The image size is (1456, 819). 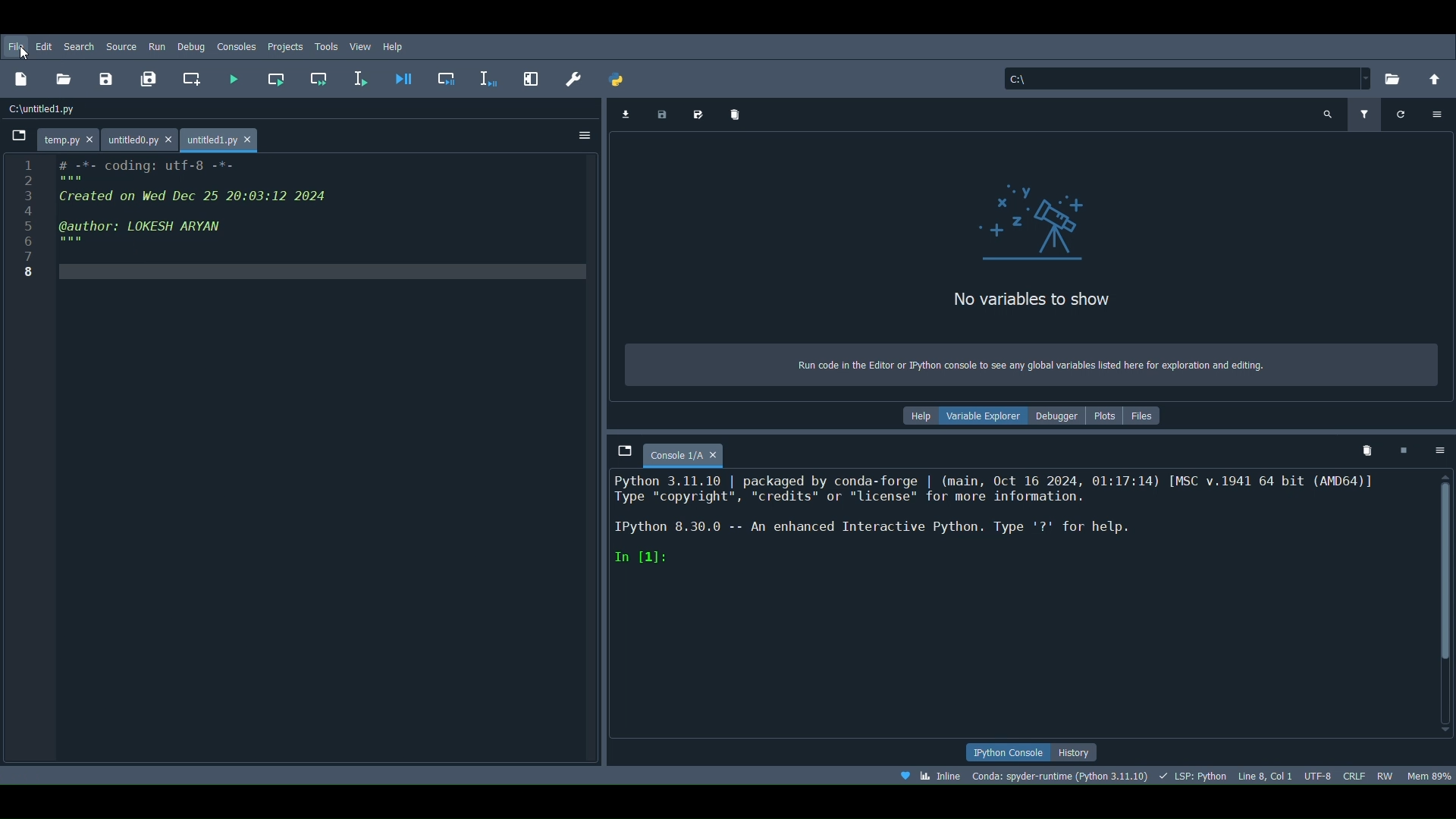 What do you see at coordinates (196, 80) in the screenshot?
I see `Create new cell at the current line (Ctrl + 2)` at bounding box center [196, 80].